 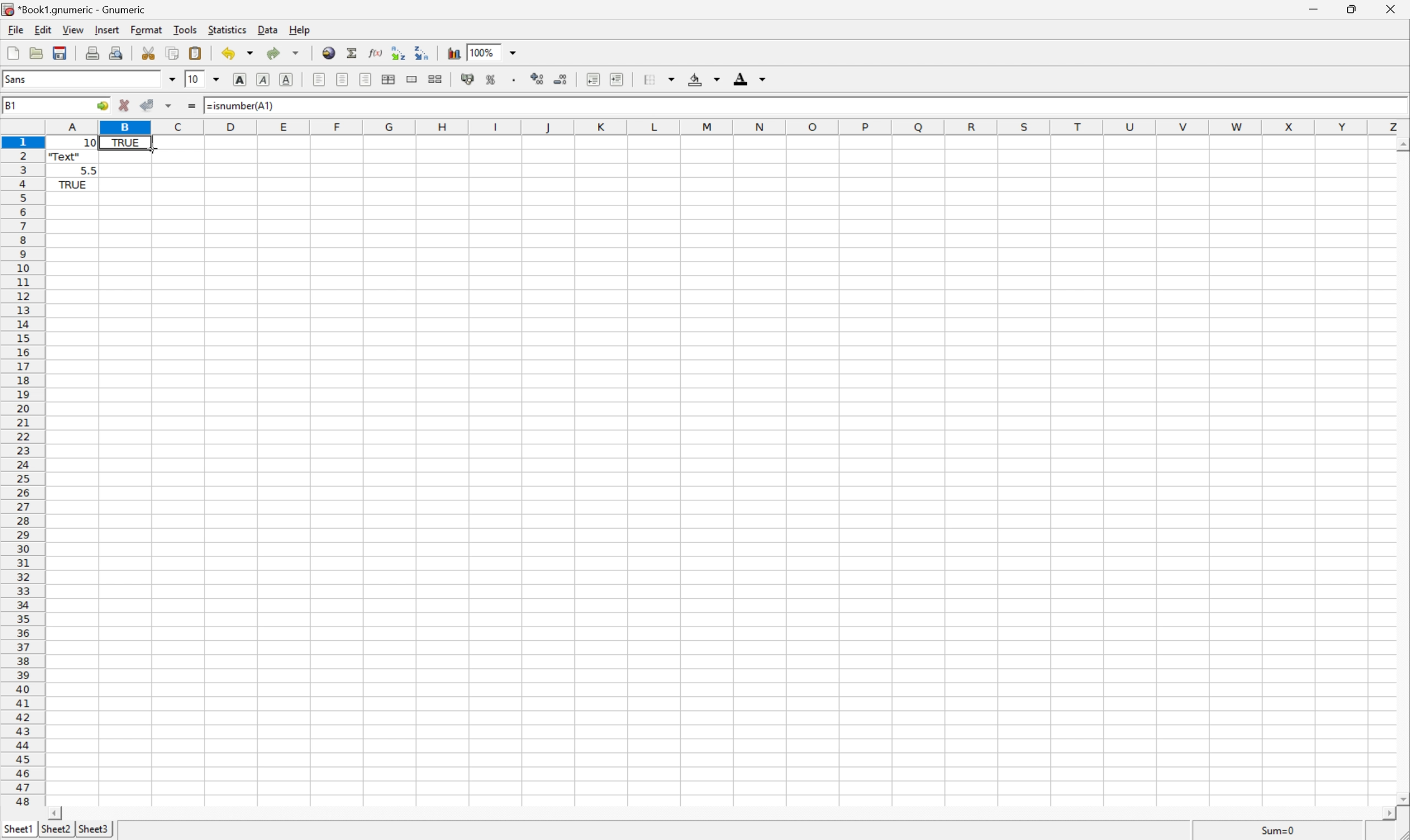 What do you see at coordinates (227, 29) in the screenshot?
I see `Statistics` at bounding box center [227, 29].